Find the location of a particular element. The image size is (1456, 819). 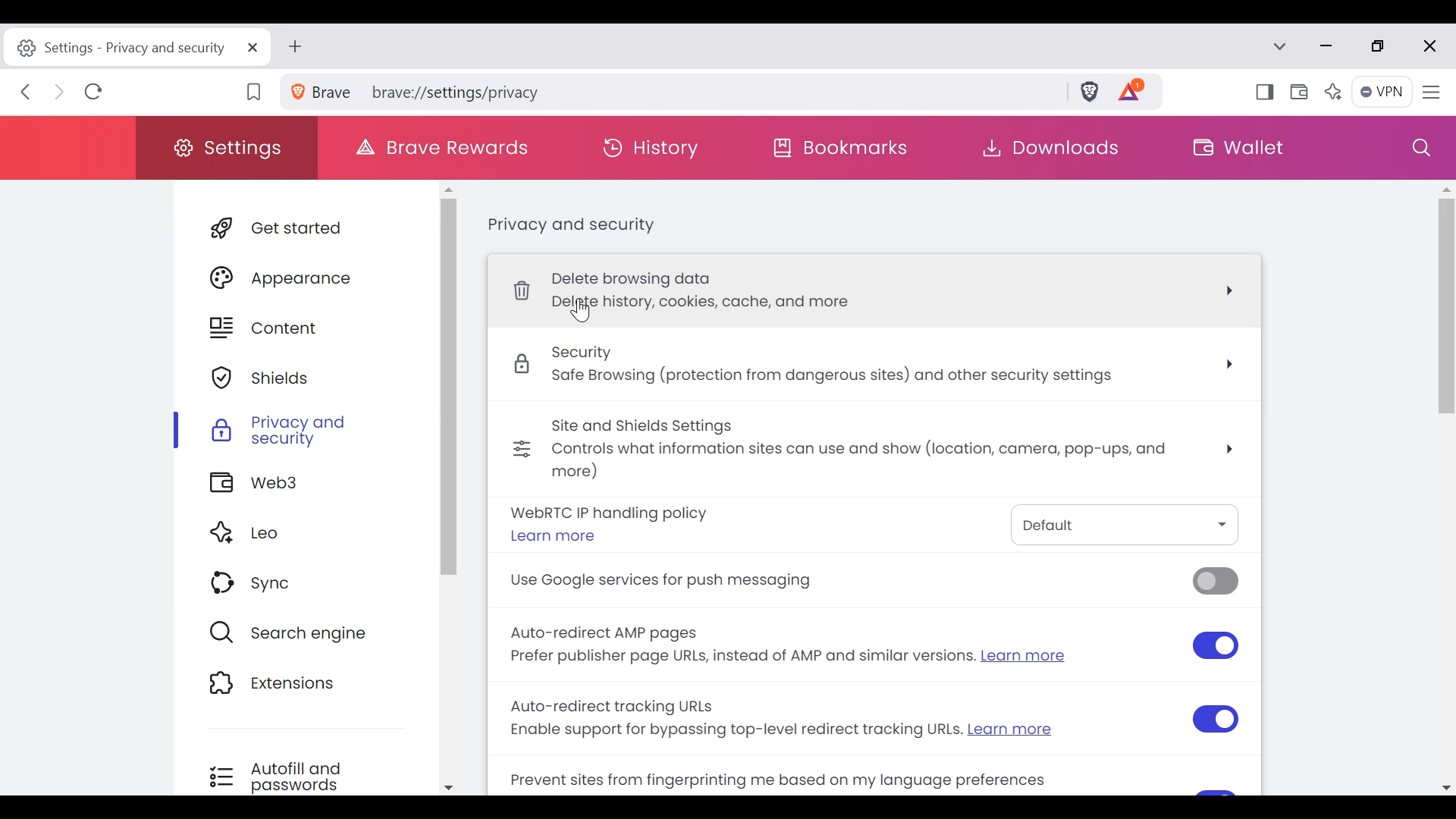

Show/Hide Sidebar is located at coordinates (1263, 94).